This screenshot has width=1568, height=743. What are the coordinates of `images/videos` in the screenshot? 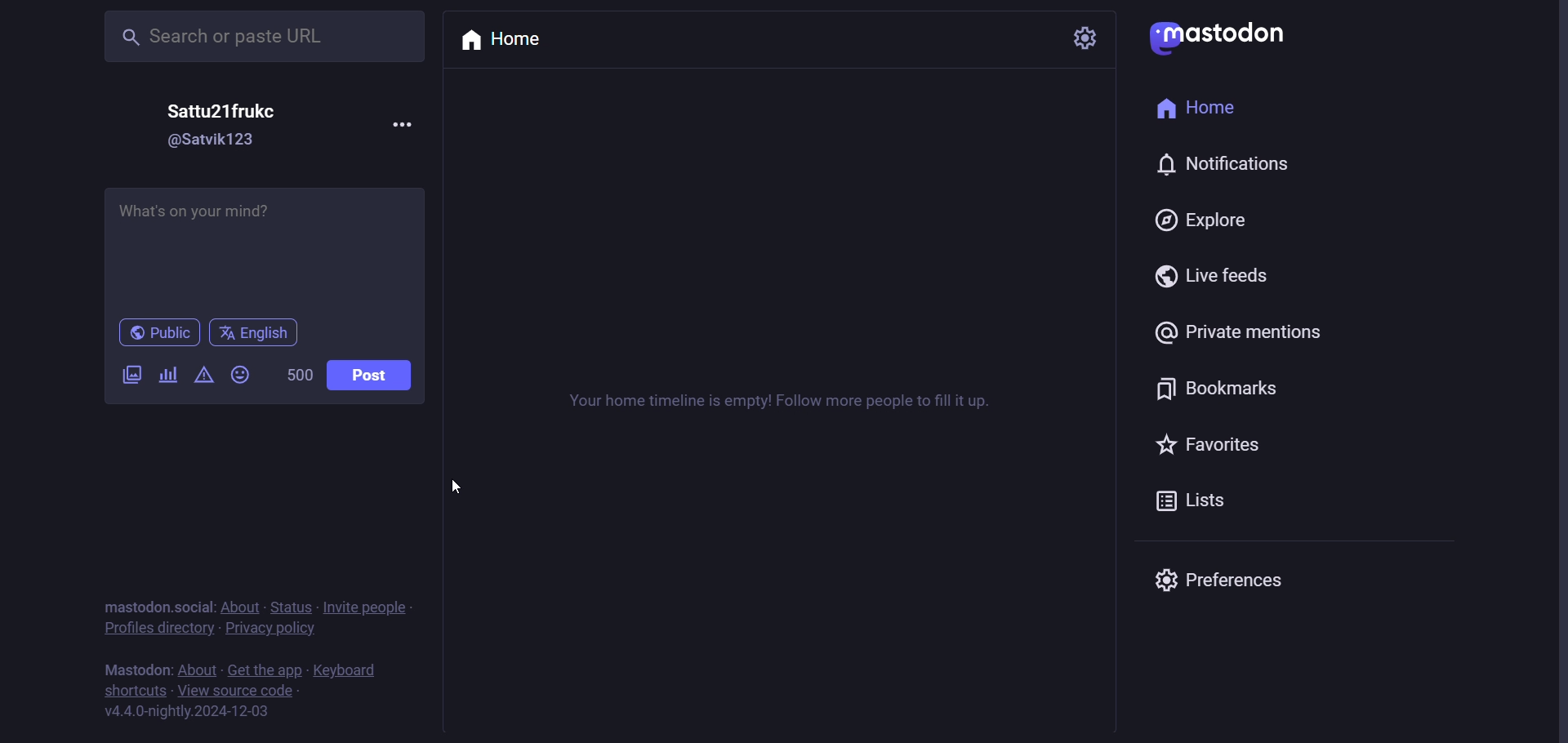 It's located at (131, 375).